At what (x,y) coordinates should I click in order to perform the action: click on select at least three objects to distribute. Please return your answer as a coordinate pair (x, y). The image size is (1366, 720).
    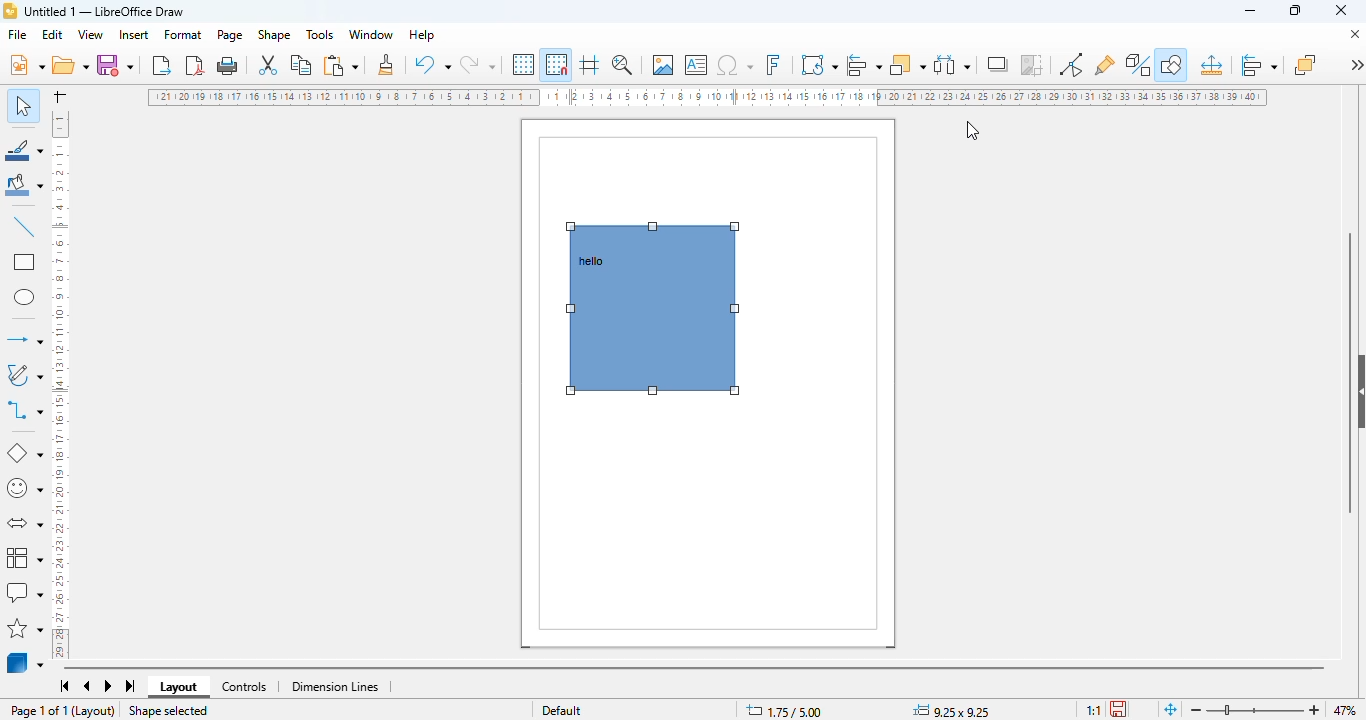
    Looking at the image, I should click on (953, 64).